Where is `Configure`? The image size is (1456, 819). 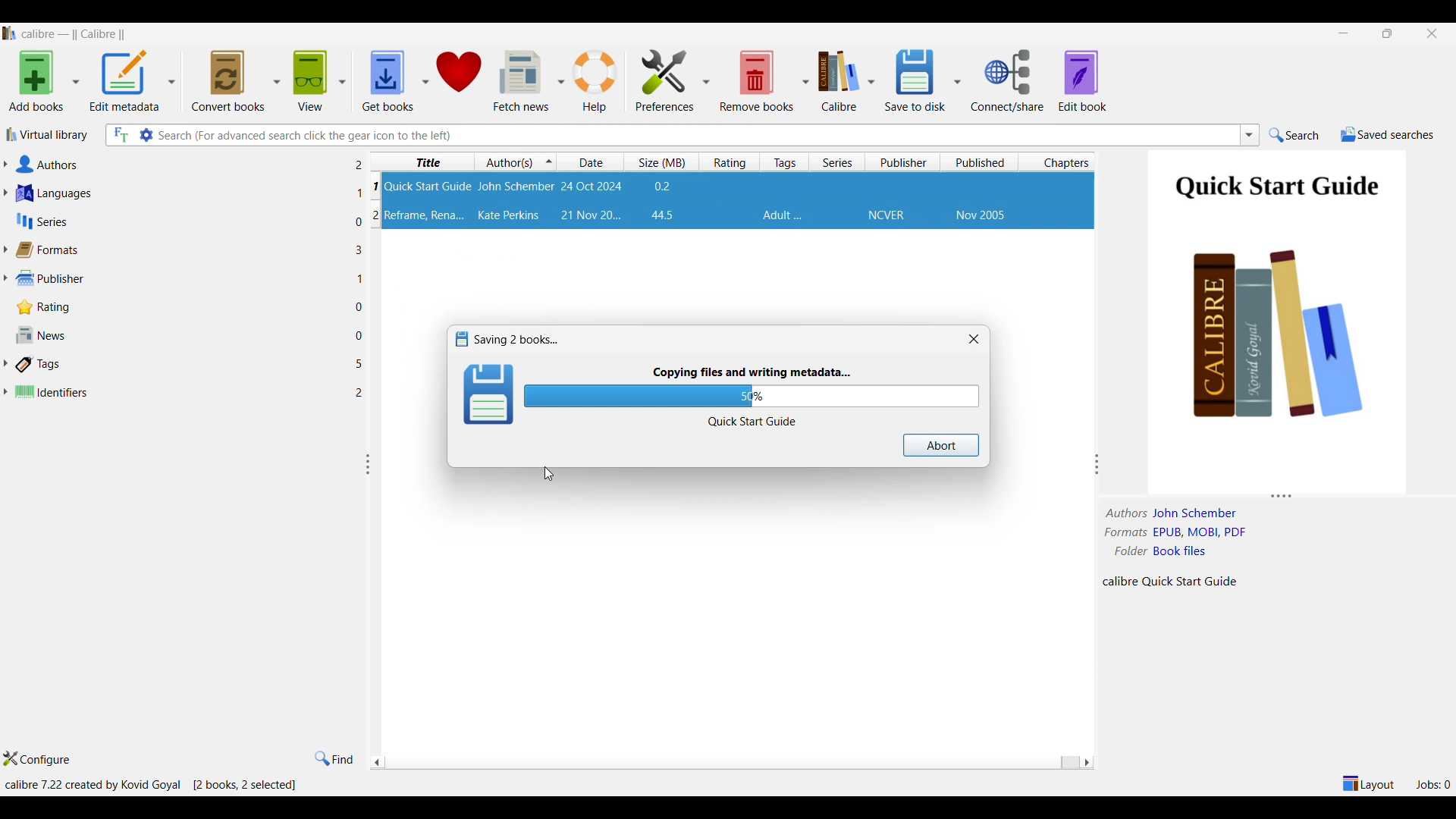 Configure is located at coordinates (36, 758).